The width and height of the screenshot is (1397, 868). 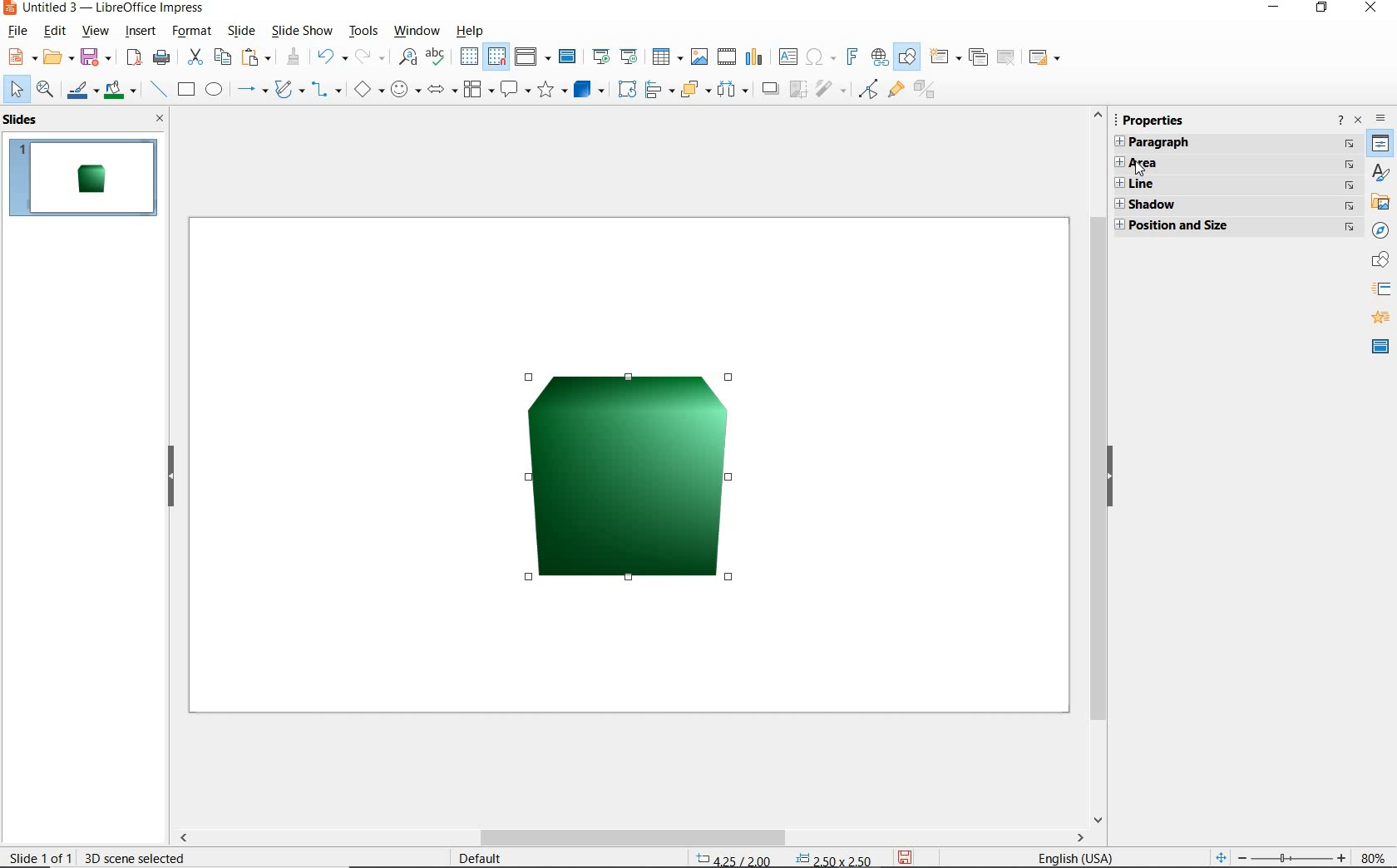 I want to click on table, so click(x=666, y=55).